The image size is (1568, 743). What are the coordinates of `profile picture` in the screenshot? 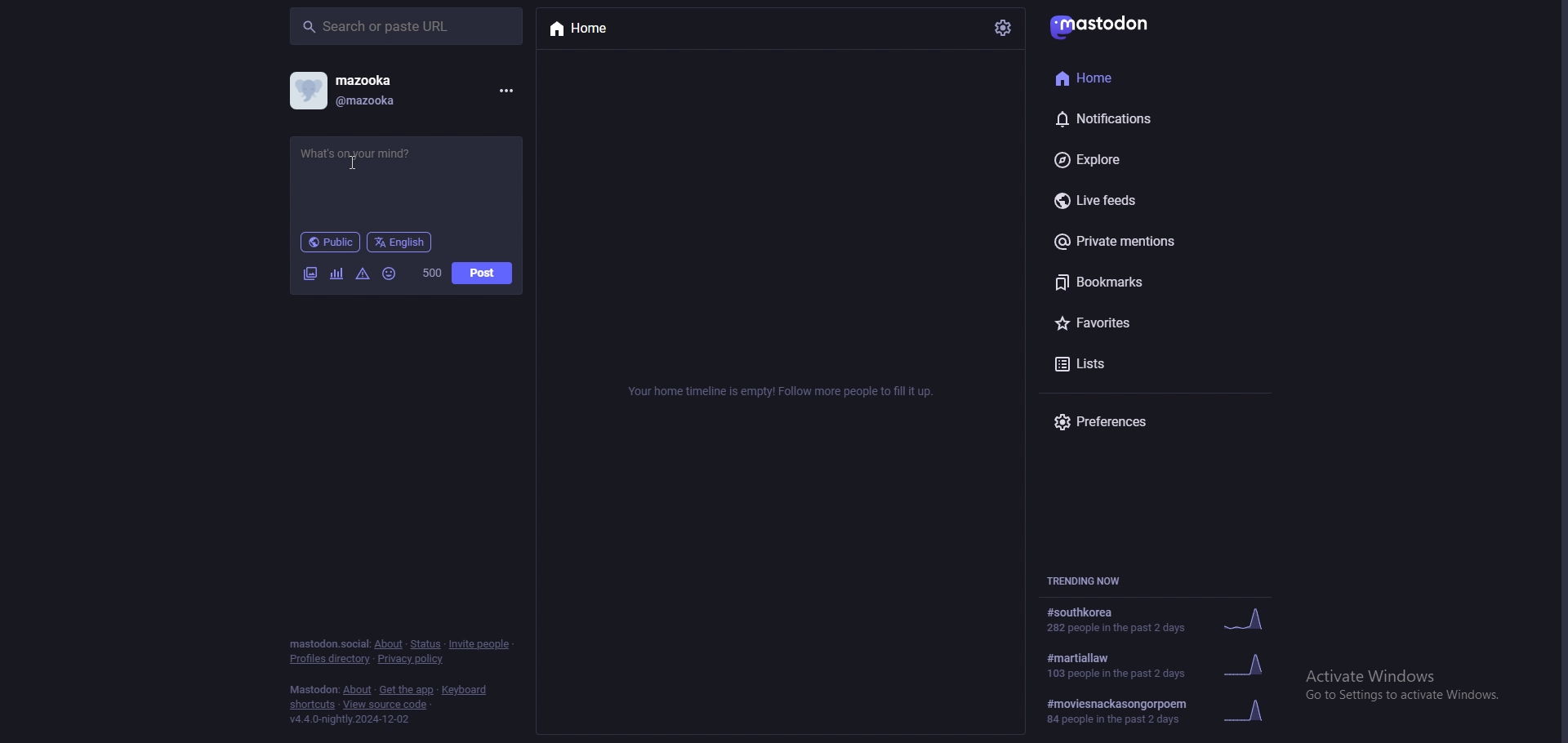 It's located at (305, 89).